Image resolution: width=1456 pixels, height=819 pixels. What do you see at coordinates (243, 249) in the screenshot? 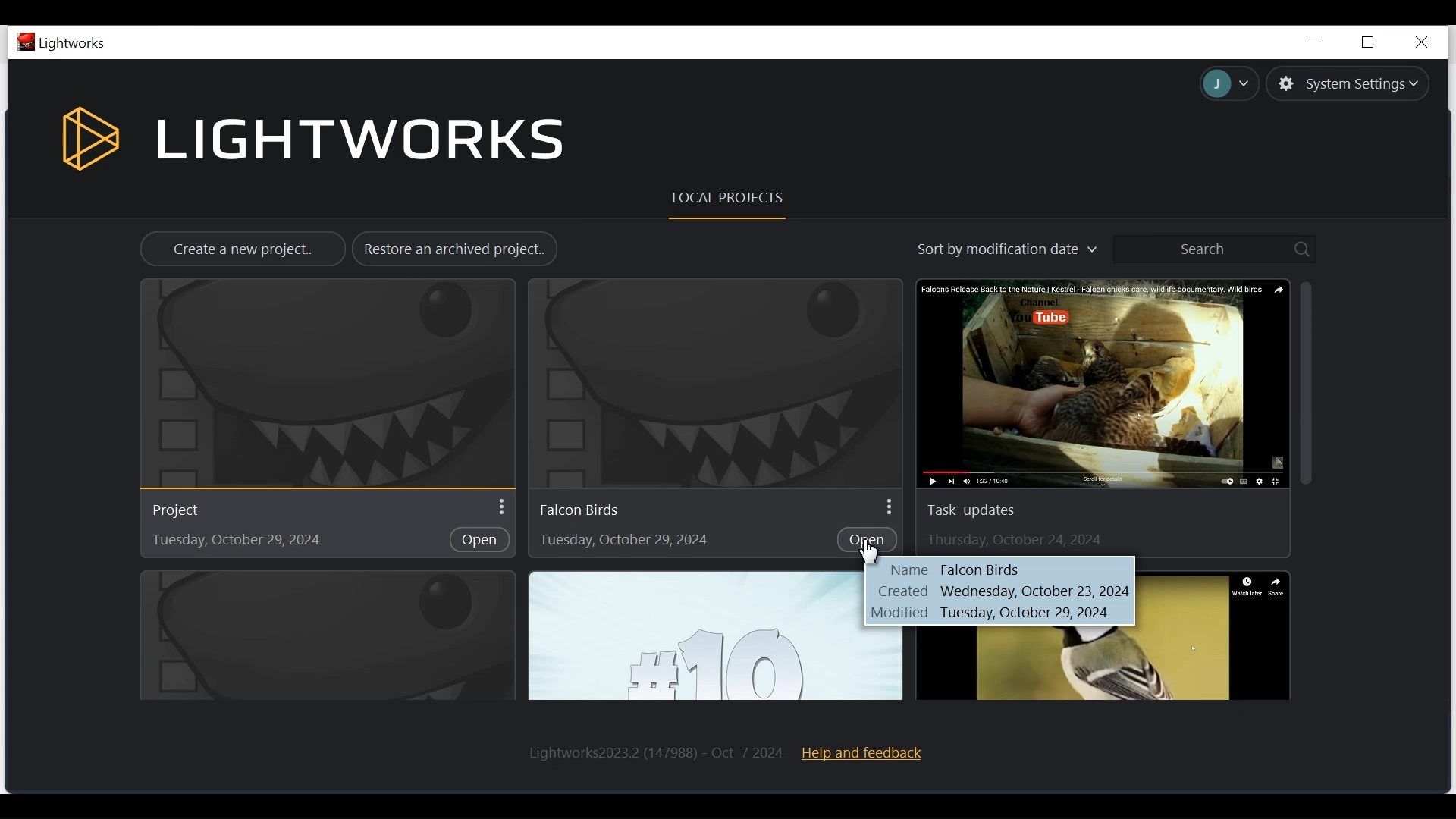
I see `Create a new project` at bounding box center [243, 249].